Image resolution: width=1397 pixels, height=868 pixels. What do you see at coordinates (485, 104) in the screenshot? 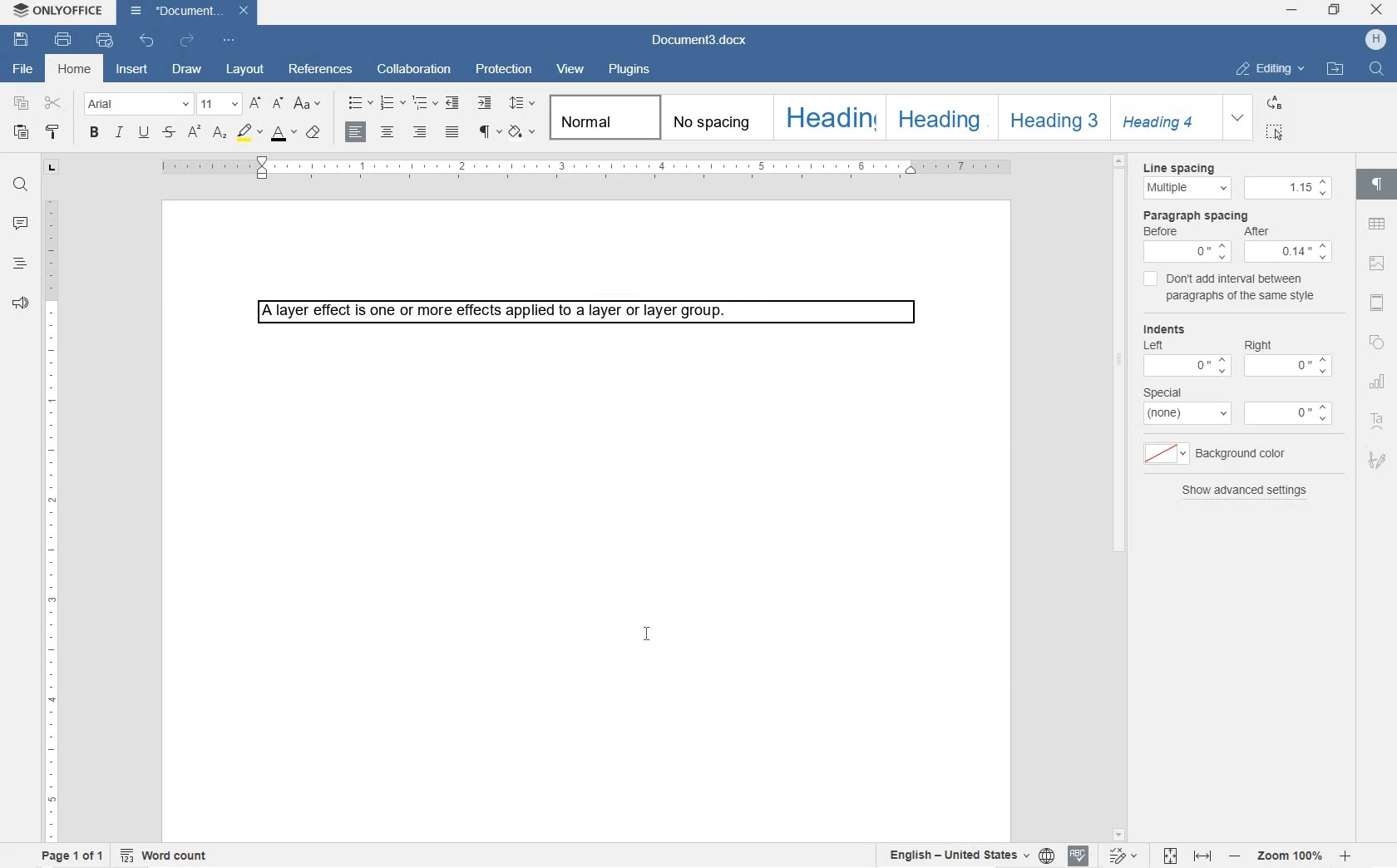
I see `INCREASE INDENT` at bounding box center [485, 104].